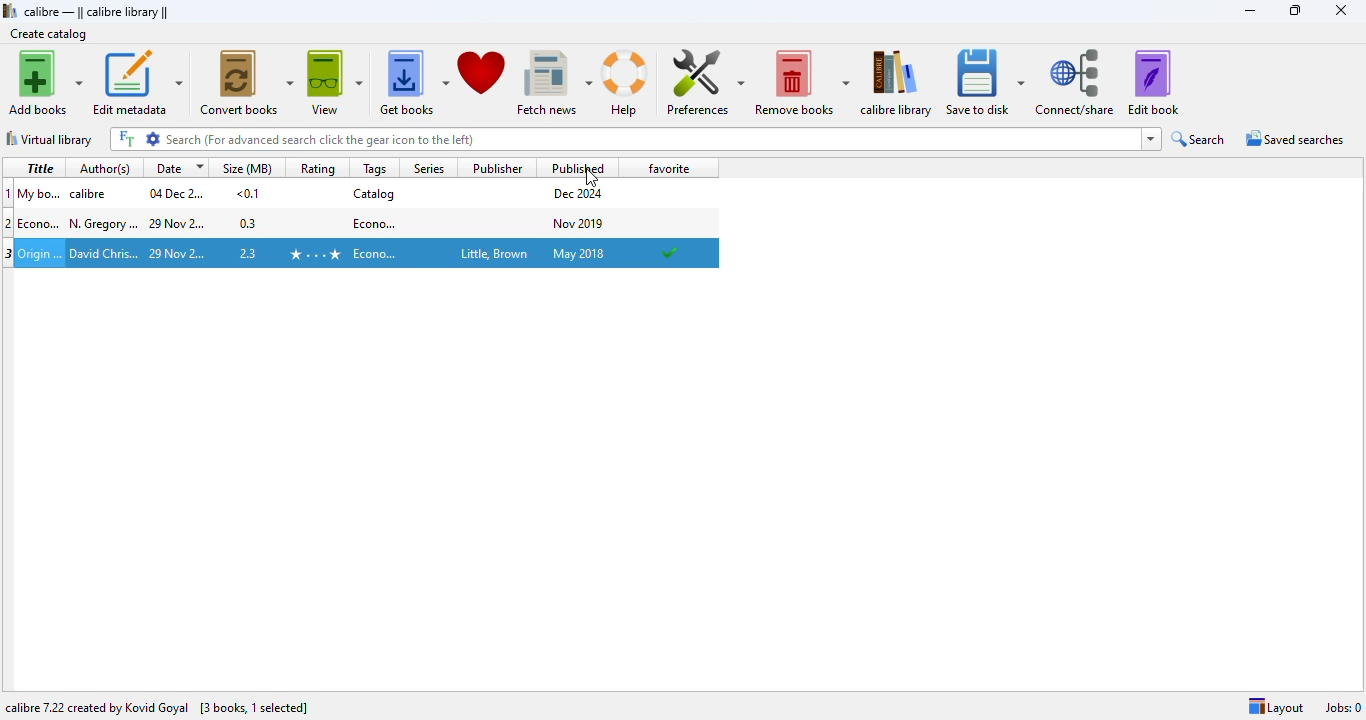 Image resolution: width=1366 pixels, height=720 pixels. What do you see at coordinates (1074, 82) in the screenshot?
I see `connect/share` at bounding box center [1074, 82].